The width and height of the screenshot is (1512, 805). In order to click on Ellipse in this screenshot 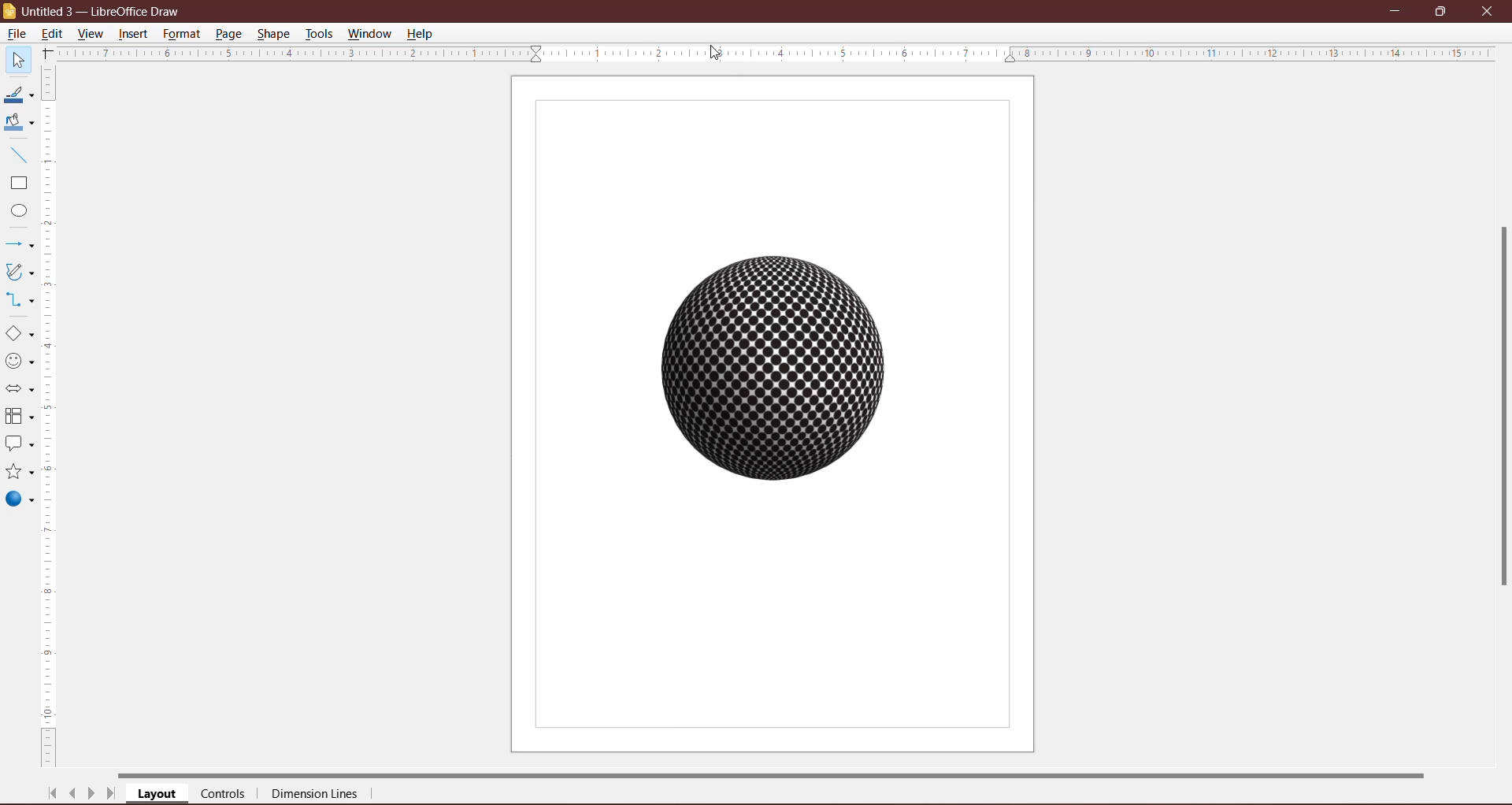, I will do `click(15, 213)`.